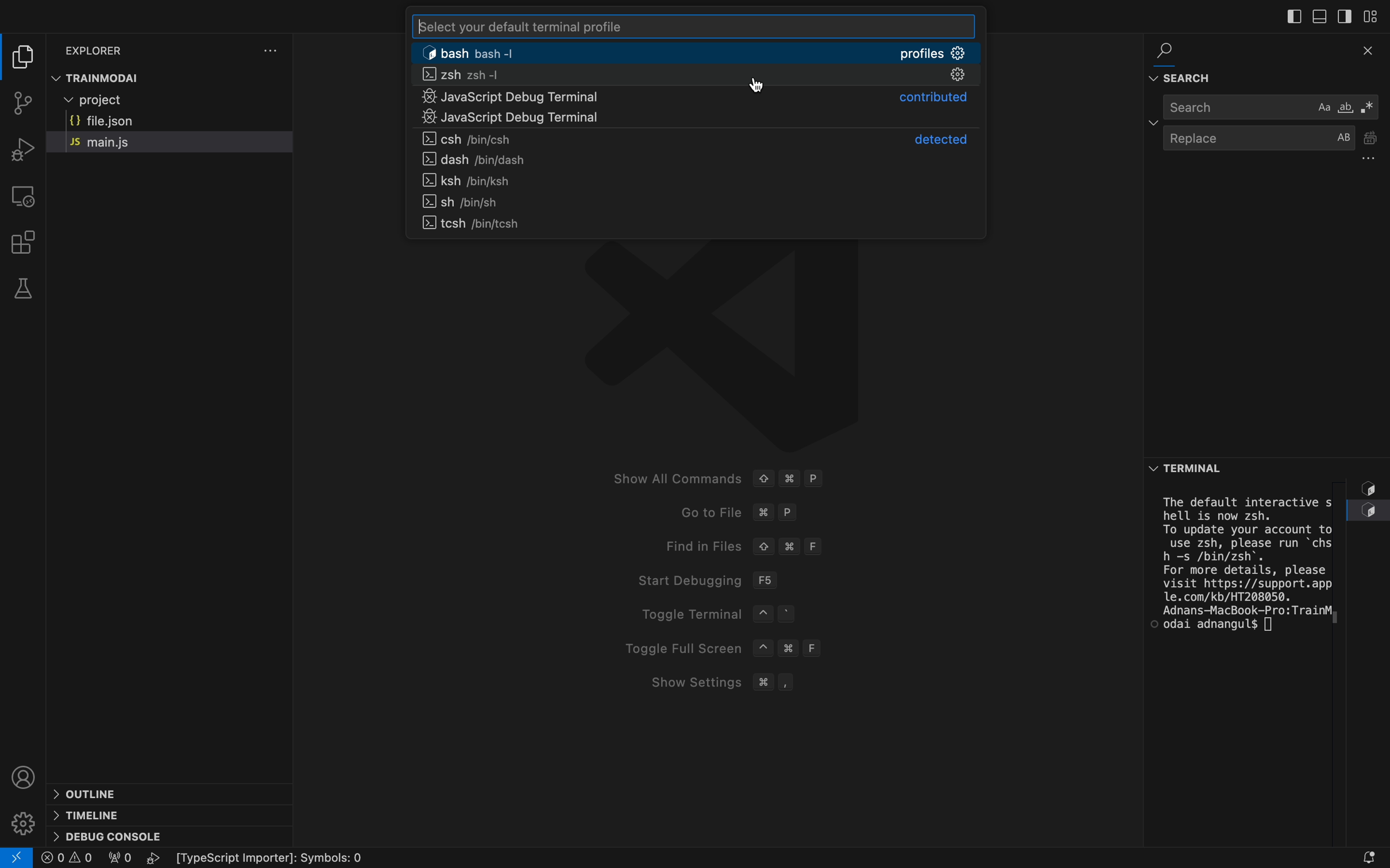 Image resolution: width=1390 pixels, height=868 pixels. Describe the element at coordinates (732, 350) in the screenshot. I see `Logo` at that location.